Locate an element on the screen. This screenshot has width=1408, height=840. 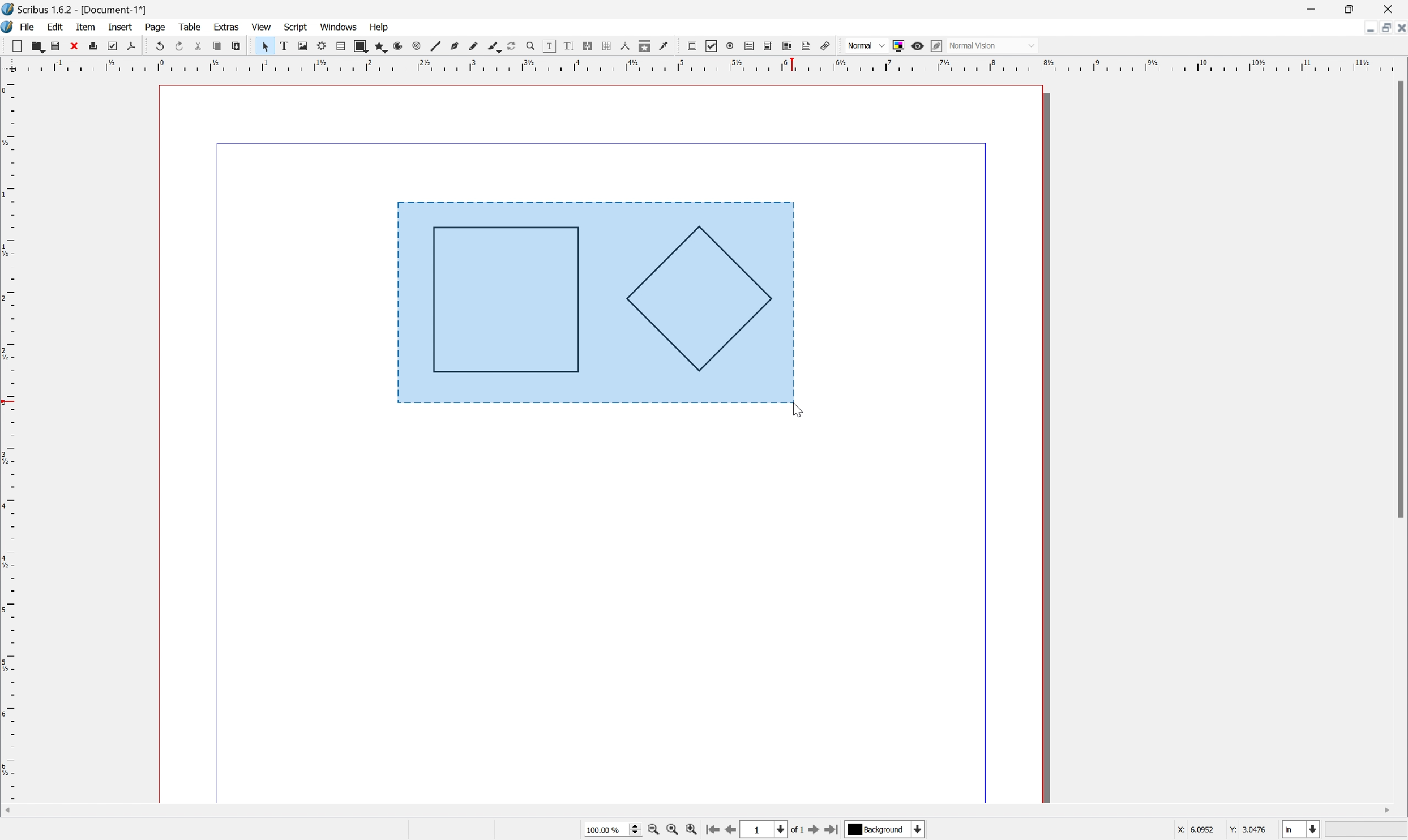
Zoom in is located at coordinates (687, 830).